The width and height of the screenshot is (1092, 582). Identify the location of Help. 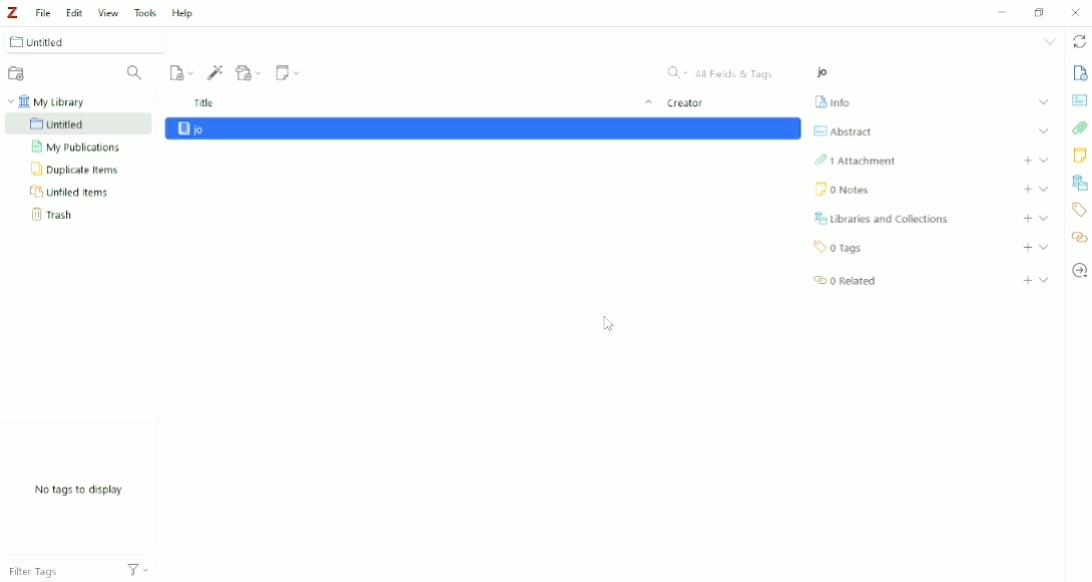
(185, 13).